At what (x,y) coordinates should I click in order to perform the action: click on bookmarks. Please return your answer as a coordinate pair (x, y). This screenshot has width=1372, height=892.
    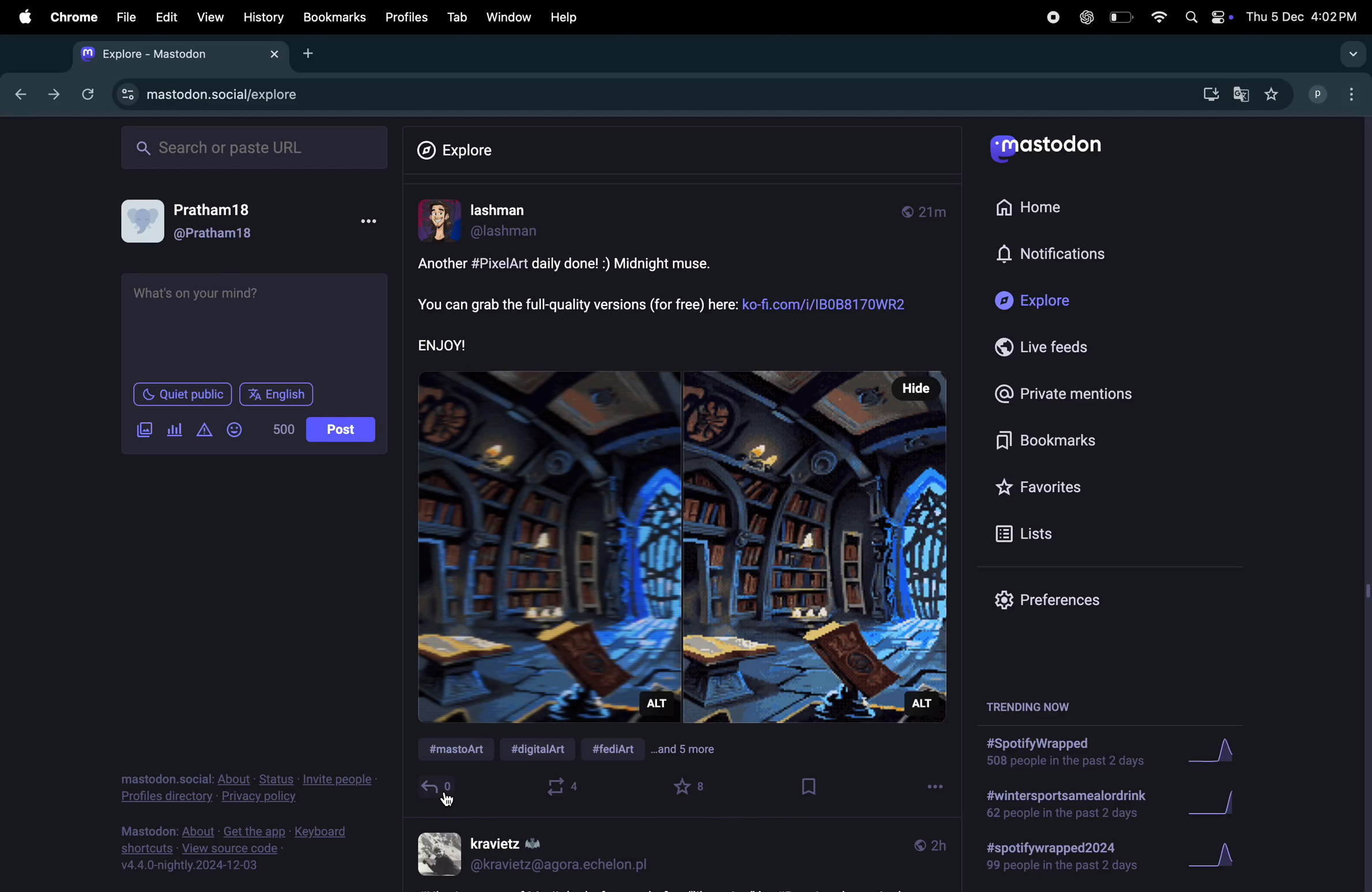
    Looking at the image, I should click on (334, 18).